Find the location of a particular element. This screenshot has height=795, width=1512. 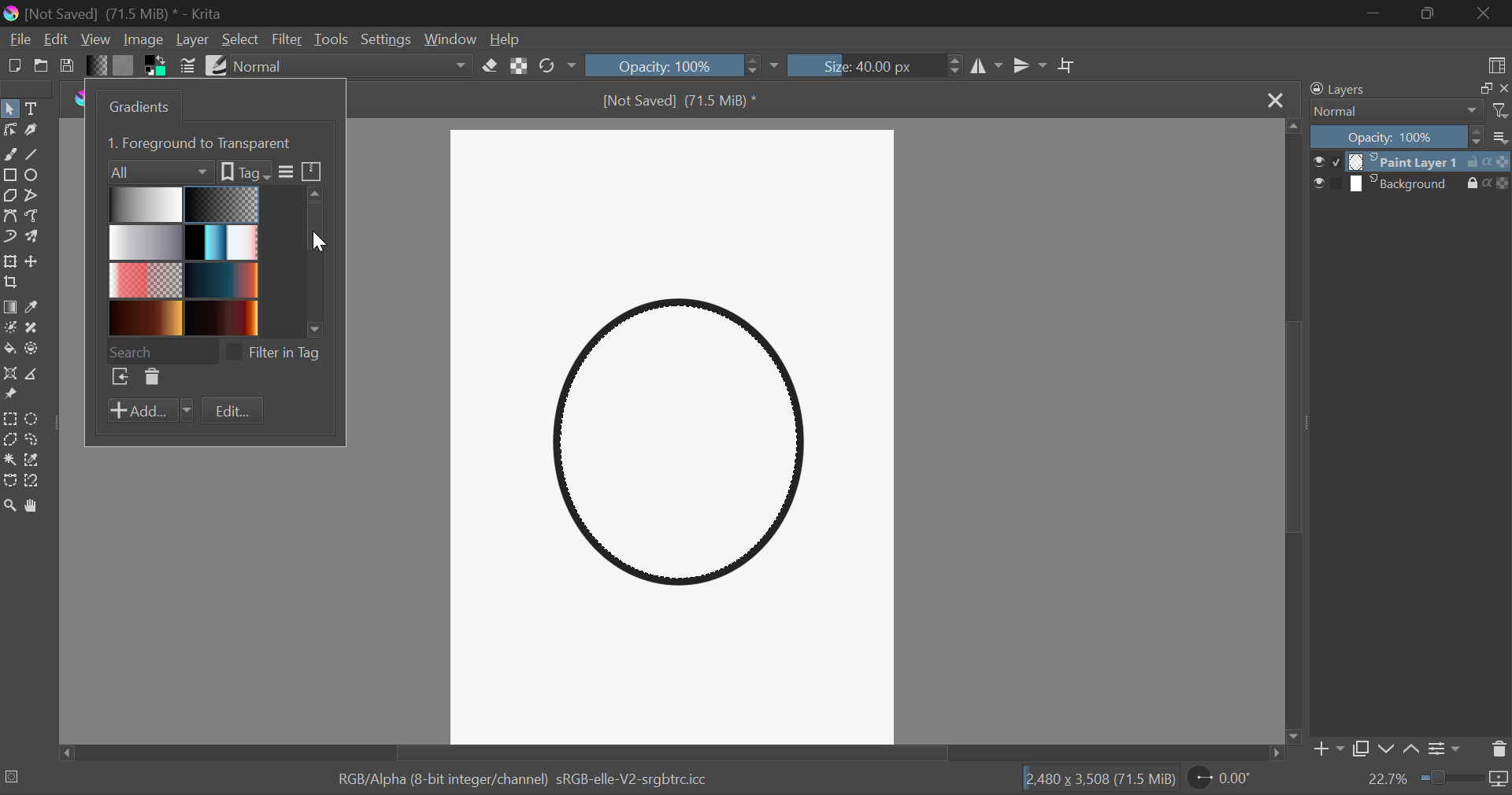

checkbox is located at coordinates (1326, 162).